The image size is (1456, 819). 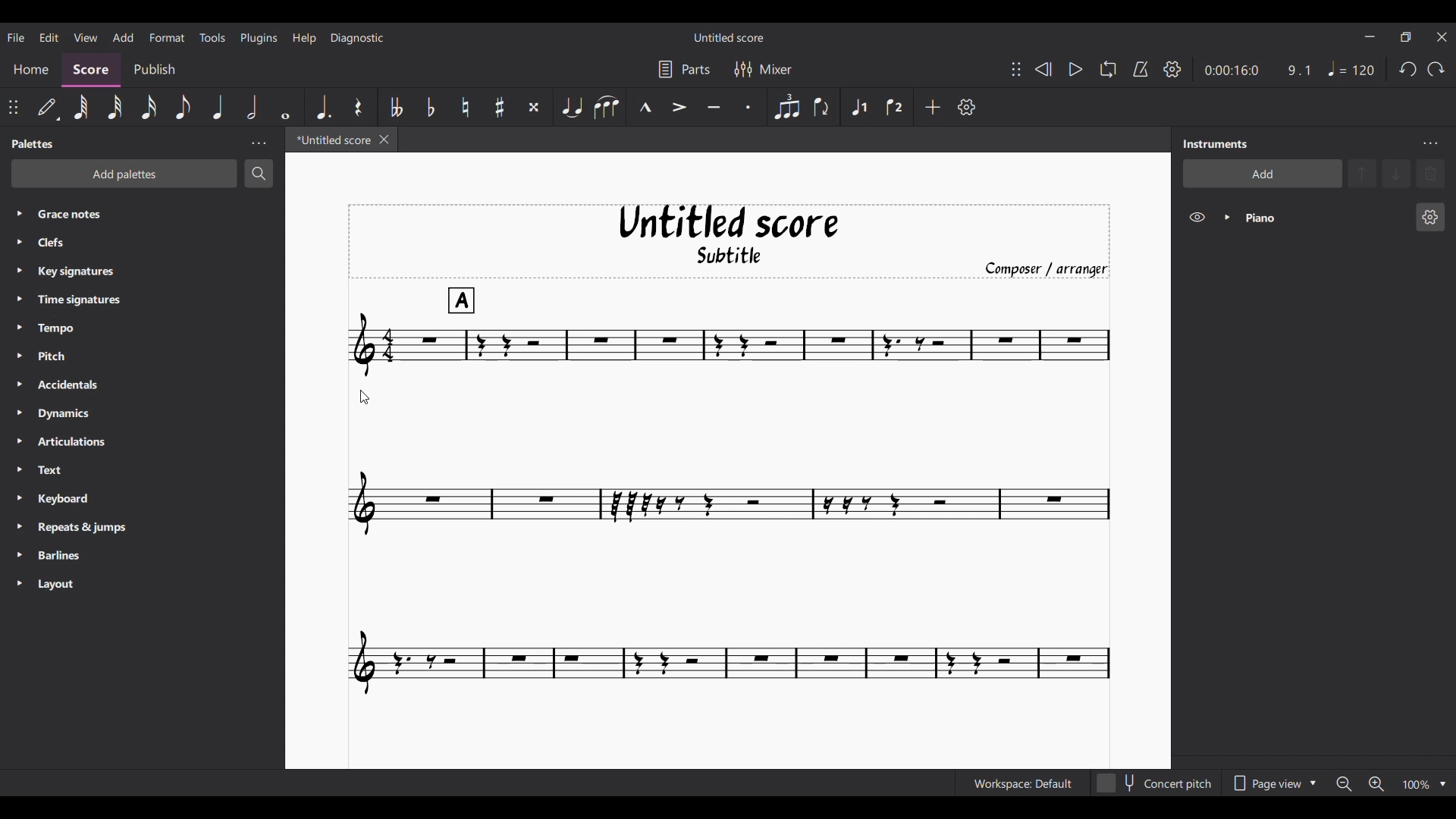 I want to click on Redo, so click(x=1436, y=69).